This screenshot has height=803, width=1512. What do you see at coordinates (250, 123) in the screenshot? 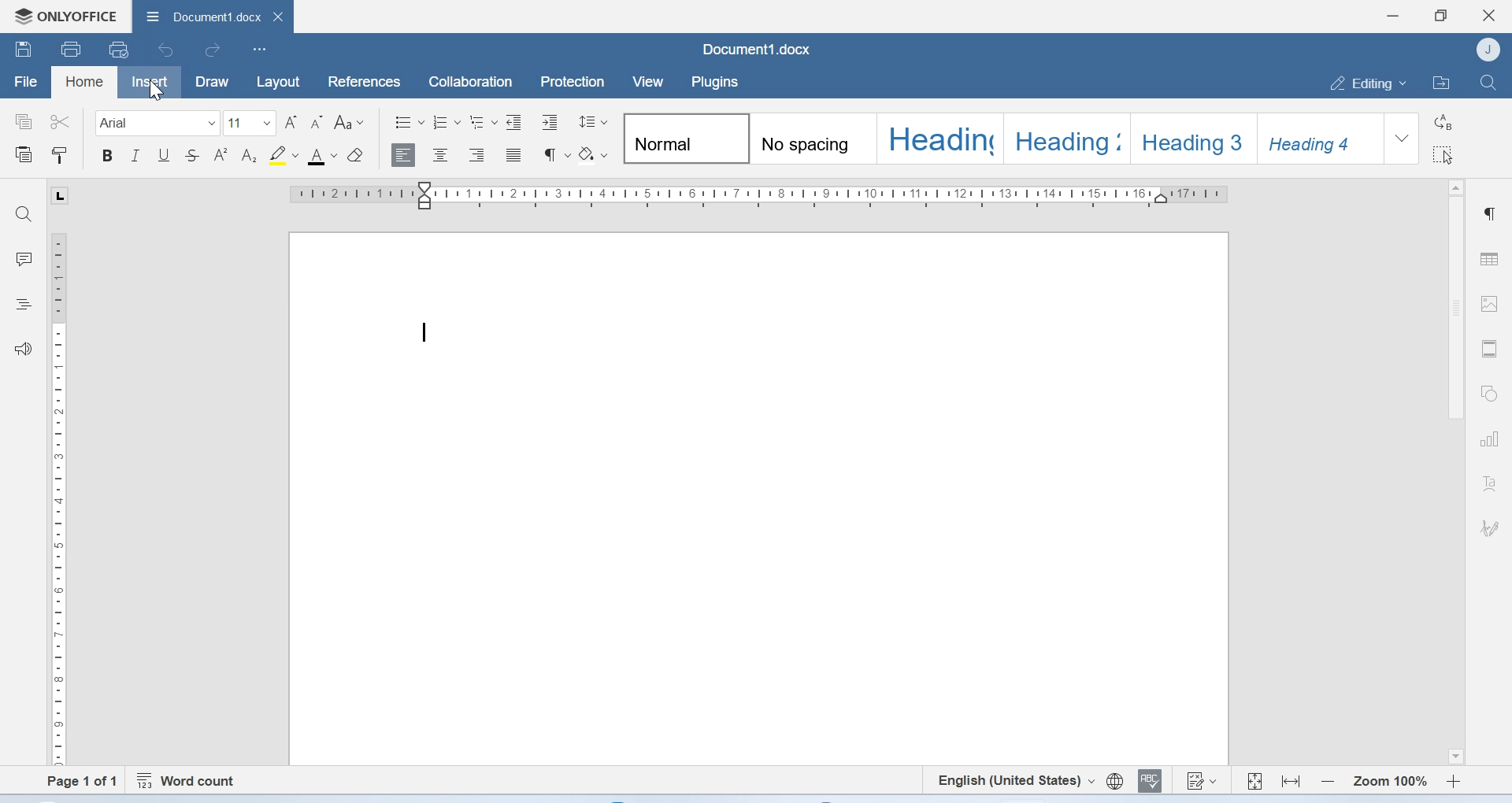
I see `Font size` at bounding box center [250, 123].